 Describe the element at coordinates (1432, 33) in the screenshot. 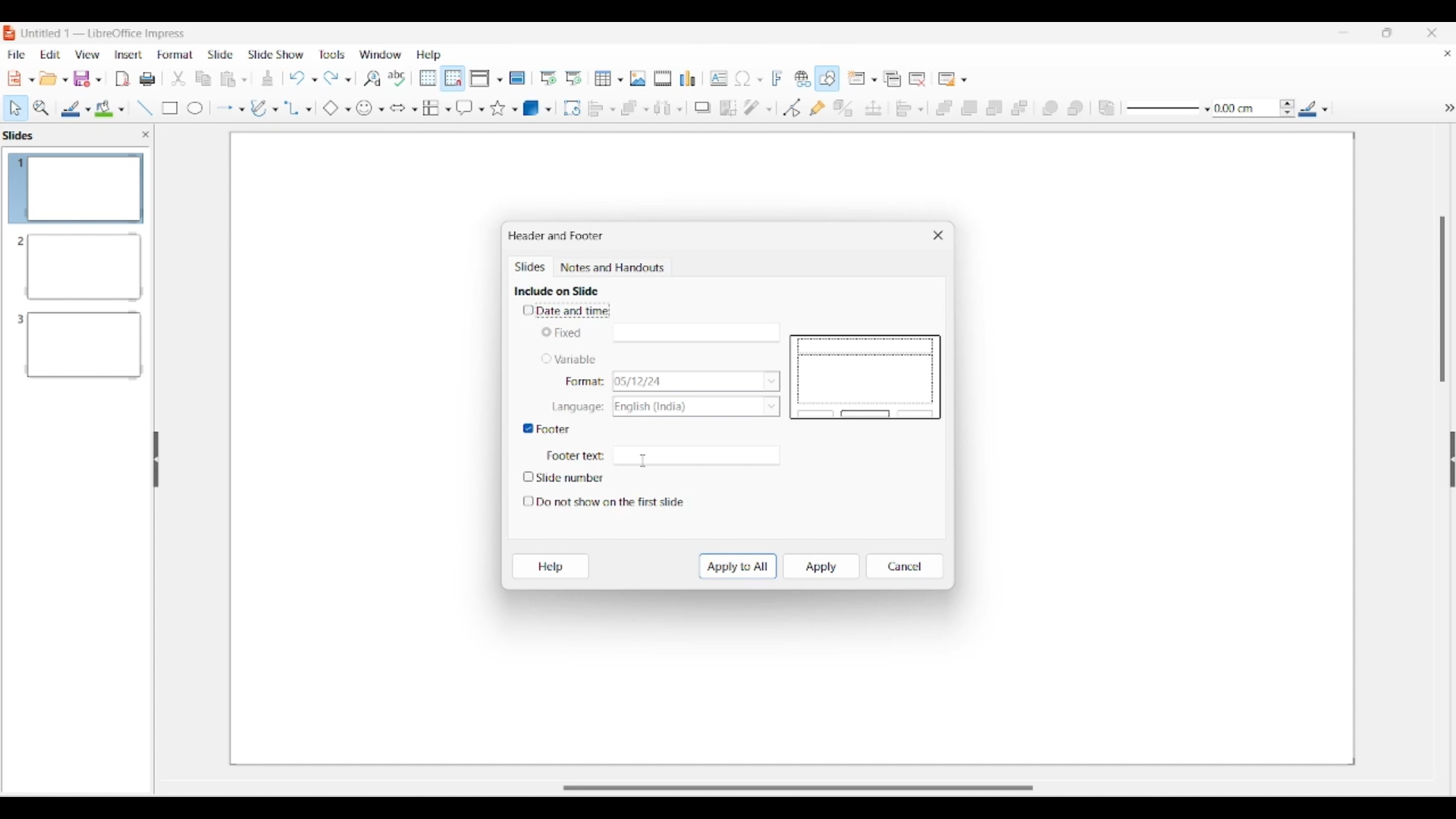

I see `Close interface` at that location.